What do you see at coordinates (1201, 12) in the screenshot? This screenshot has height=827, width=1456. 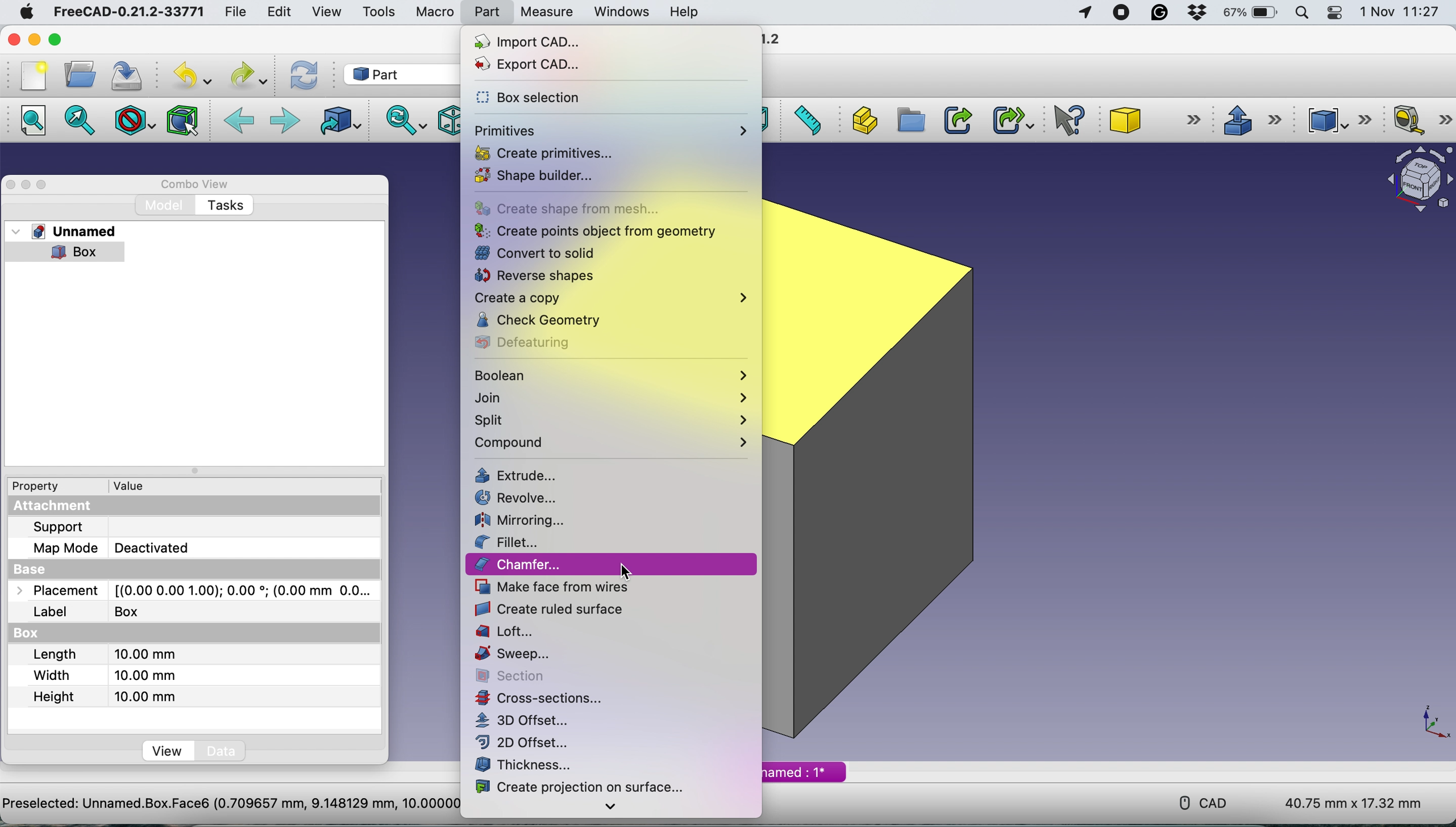 I see `dropbox` at bounding box center [1201, 12].